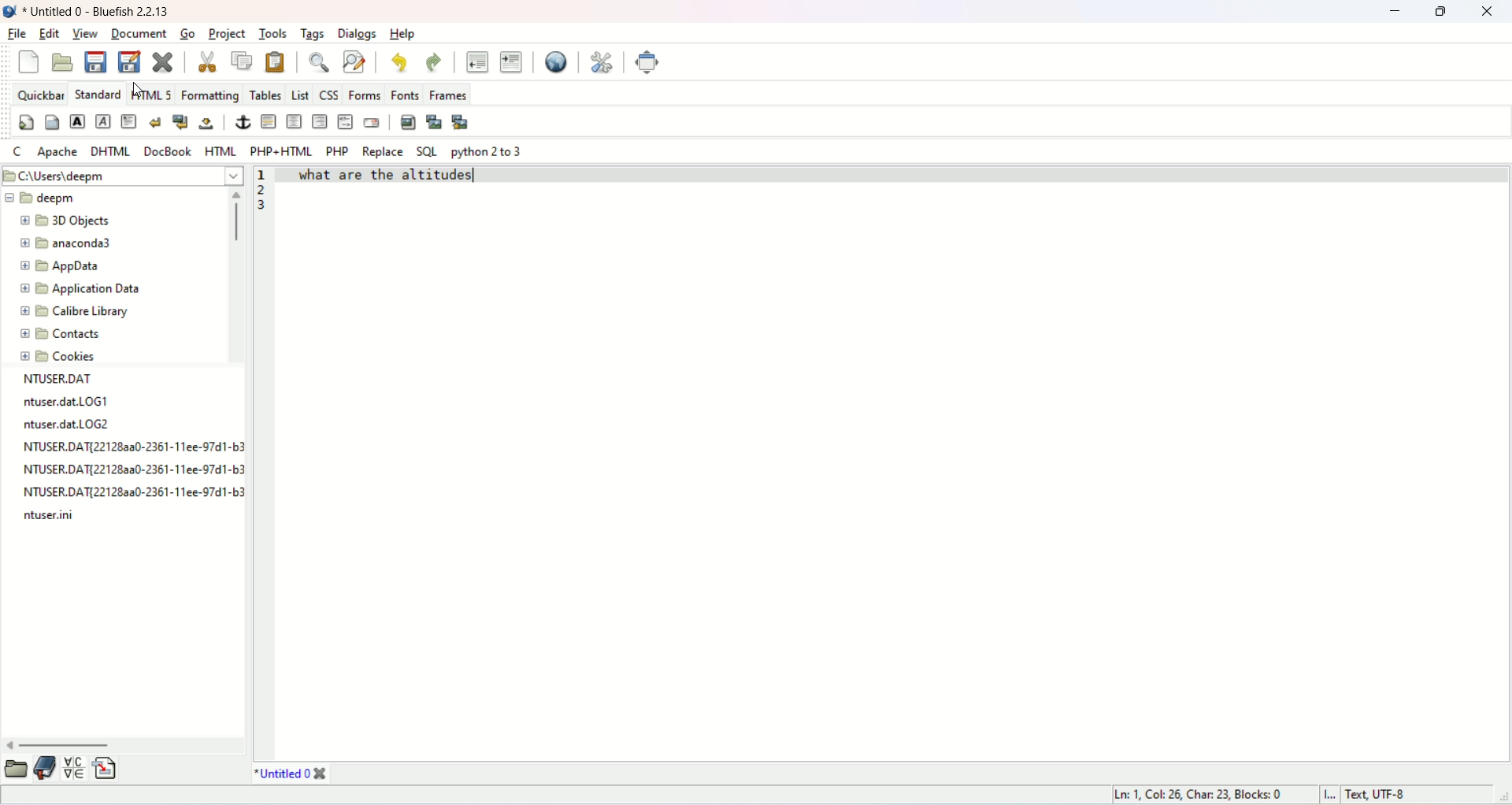 The height and width of the screenshot is (805, 1512). Describe the element at coordinates (432, 62) in the screenshot. I see `redo` at that location.